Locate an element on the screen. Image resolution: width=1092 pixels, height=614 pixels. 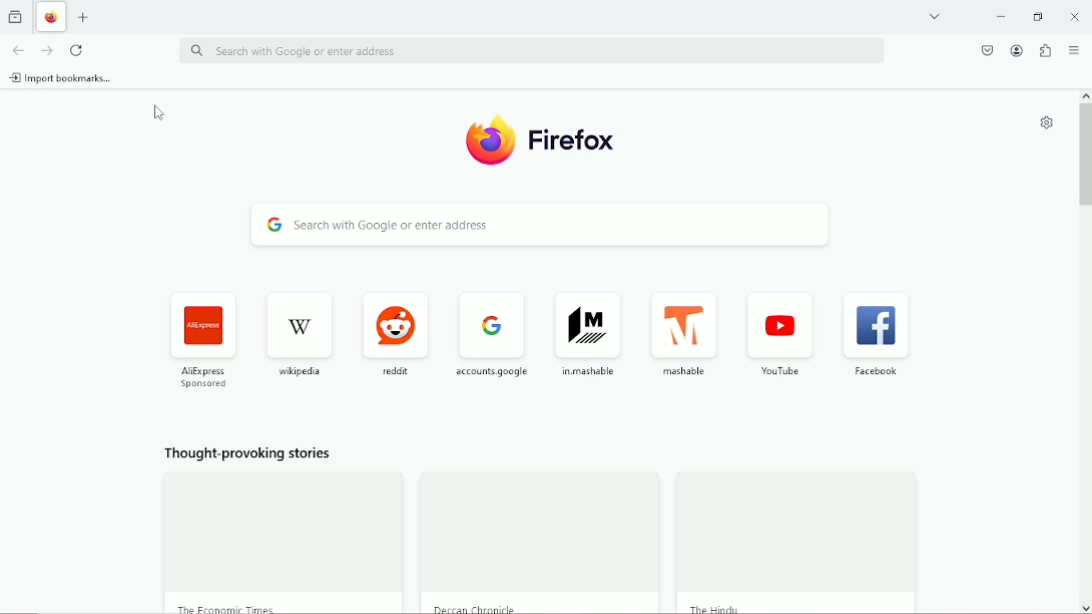
Restore down is located at coordinates (1039, 18).